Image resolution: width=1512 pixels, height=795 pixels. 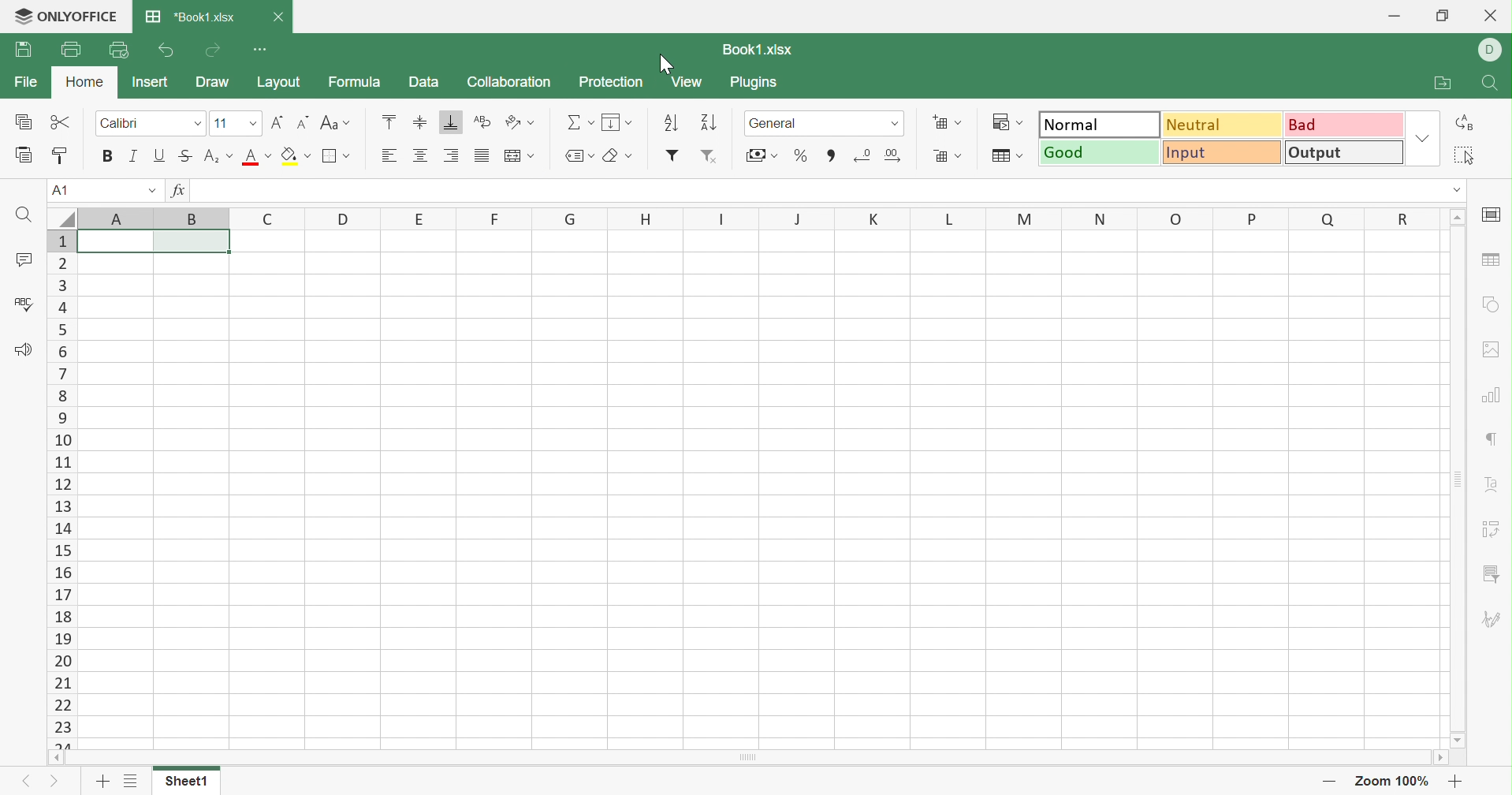 I want to click on Drop Down, so click(x=155, y=190).